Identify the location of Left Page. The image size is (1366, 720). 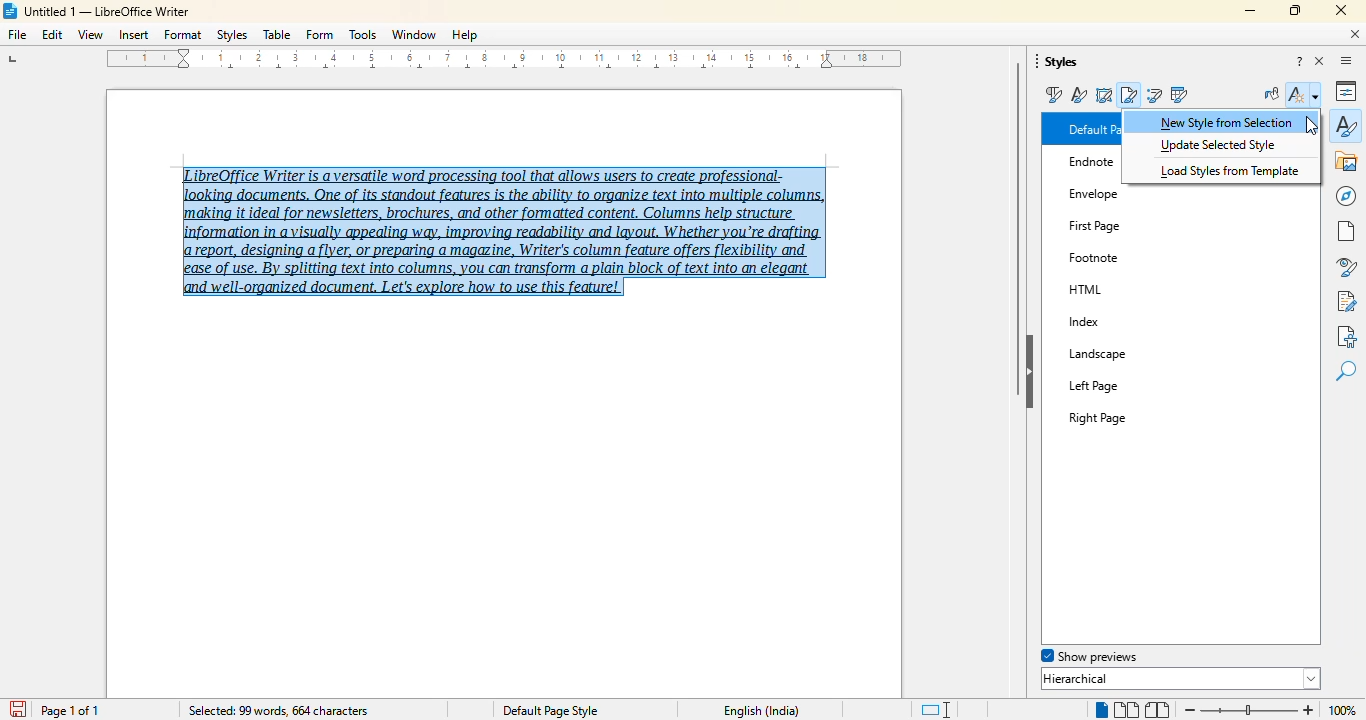
(1122, 384).